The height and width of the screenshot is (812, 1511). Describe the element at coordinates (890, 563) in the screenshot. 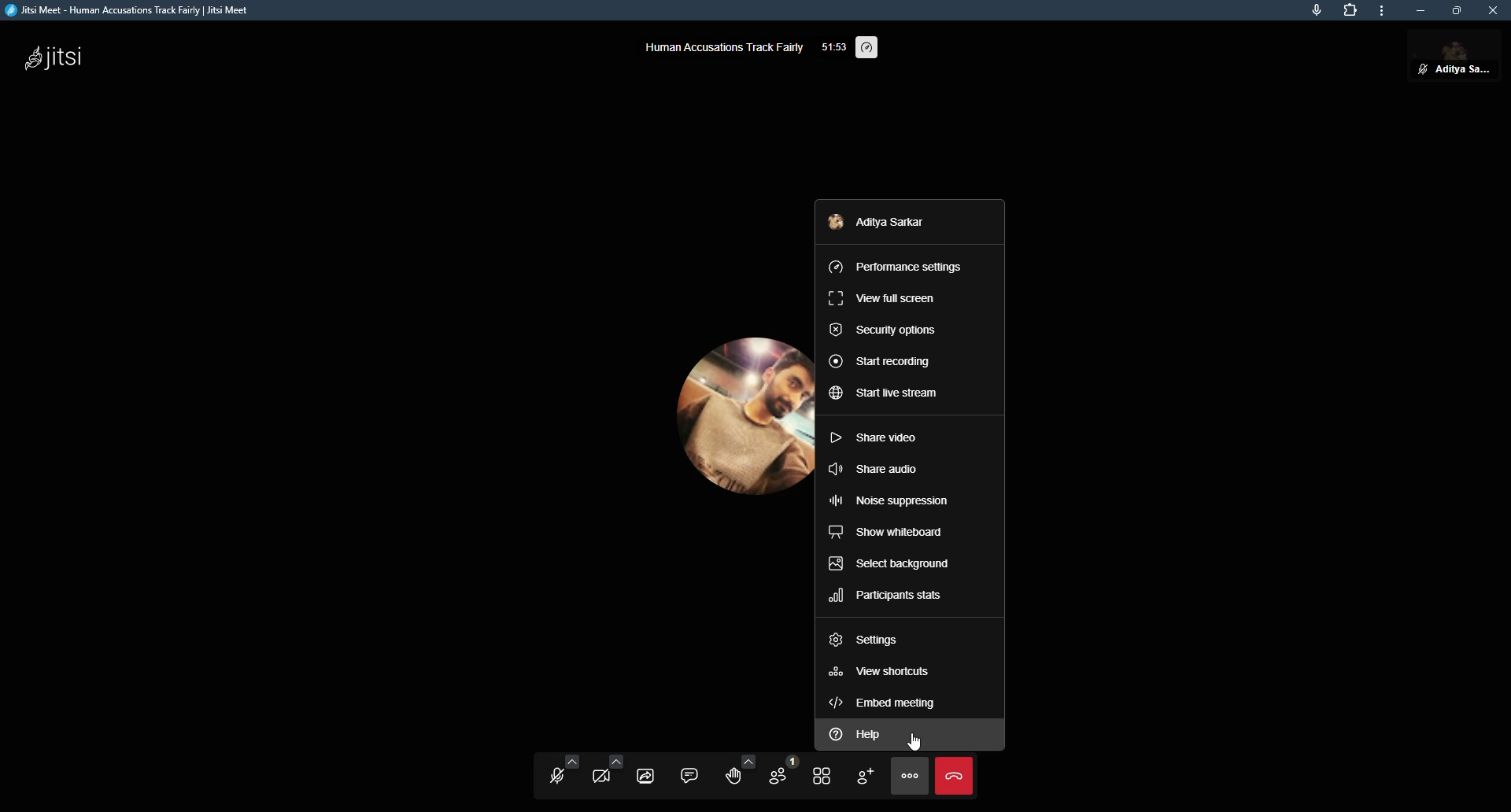

I see `select background` at that location.